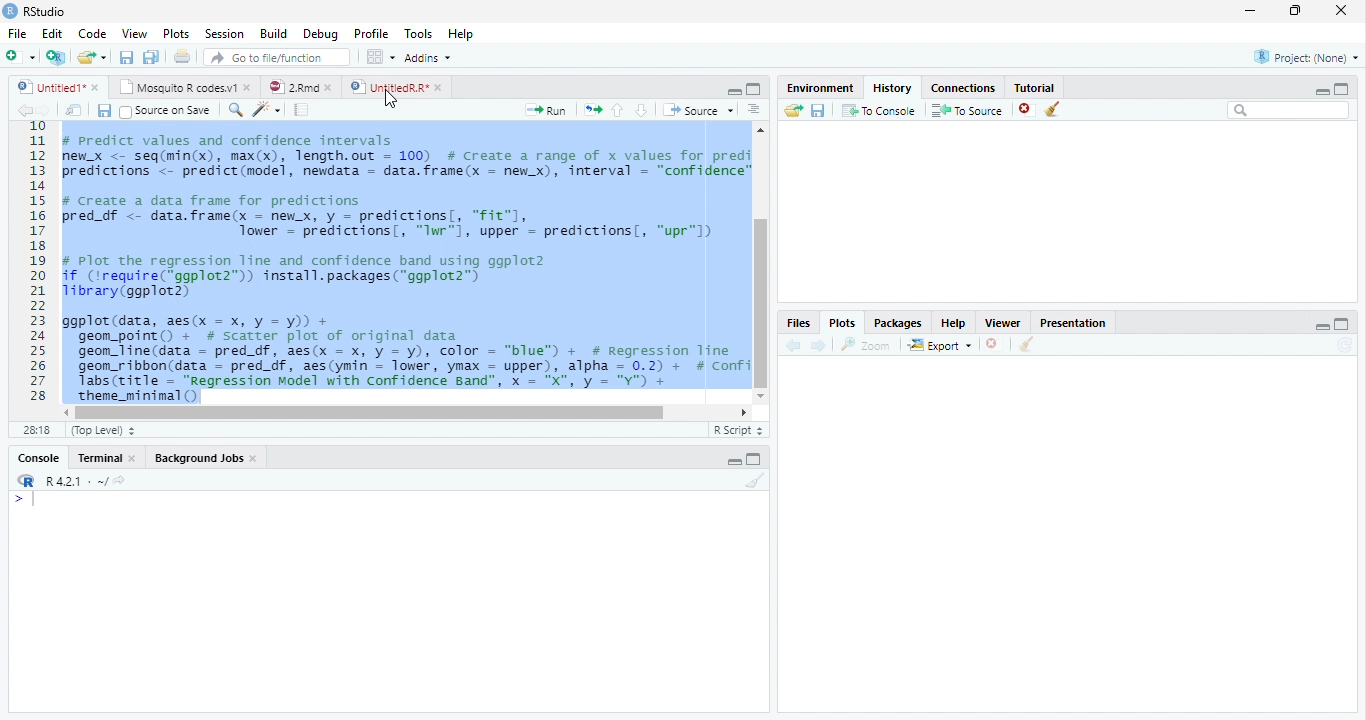 The image size is (1366, 720). Describe the element at coordinates (20, 57) in the screenshot. I see `New file` at that location.